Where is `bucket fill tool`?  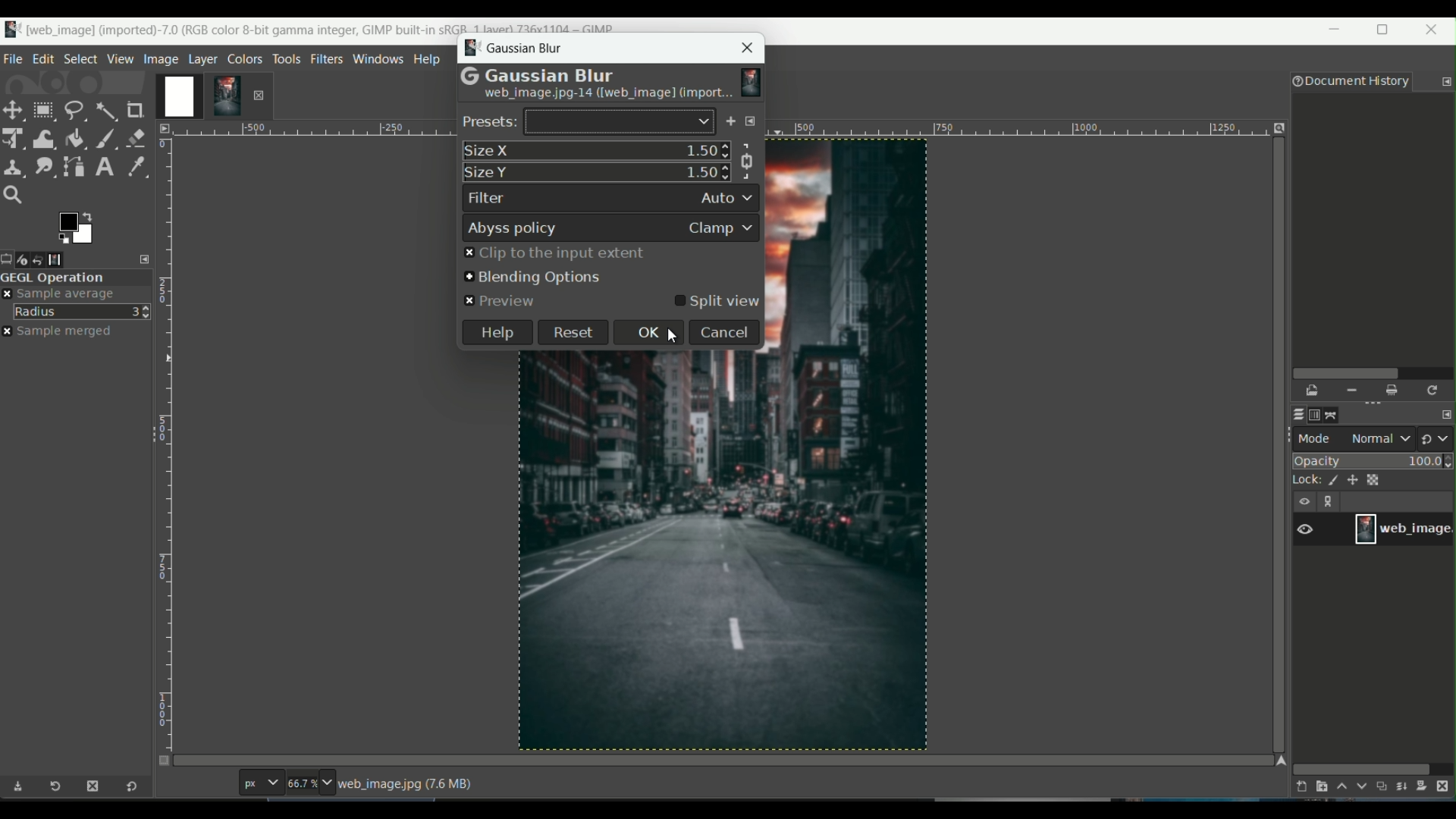 bucket fill tool is located at coordinates (75, 137).